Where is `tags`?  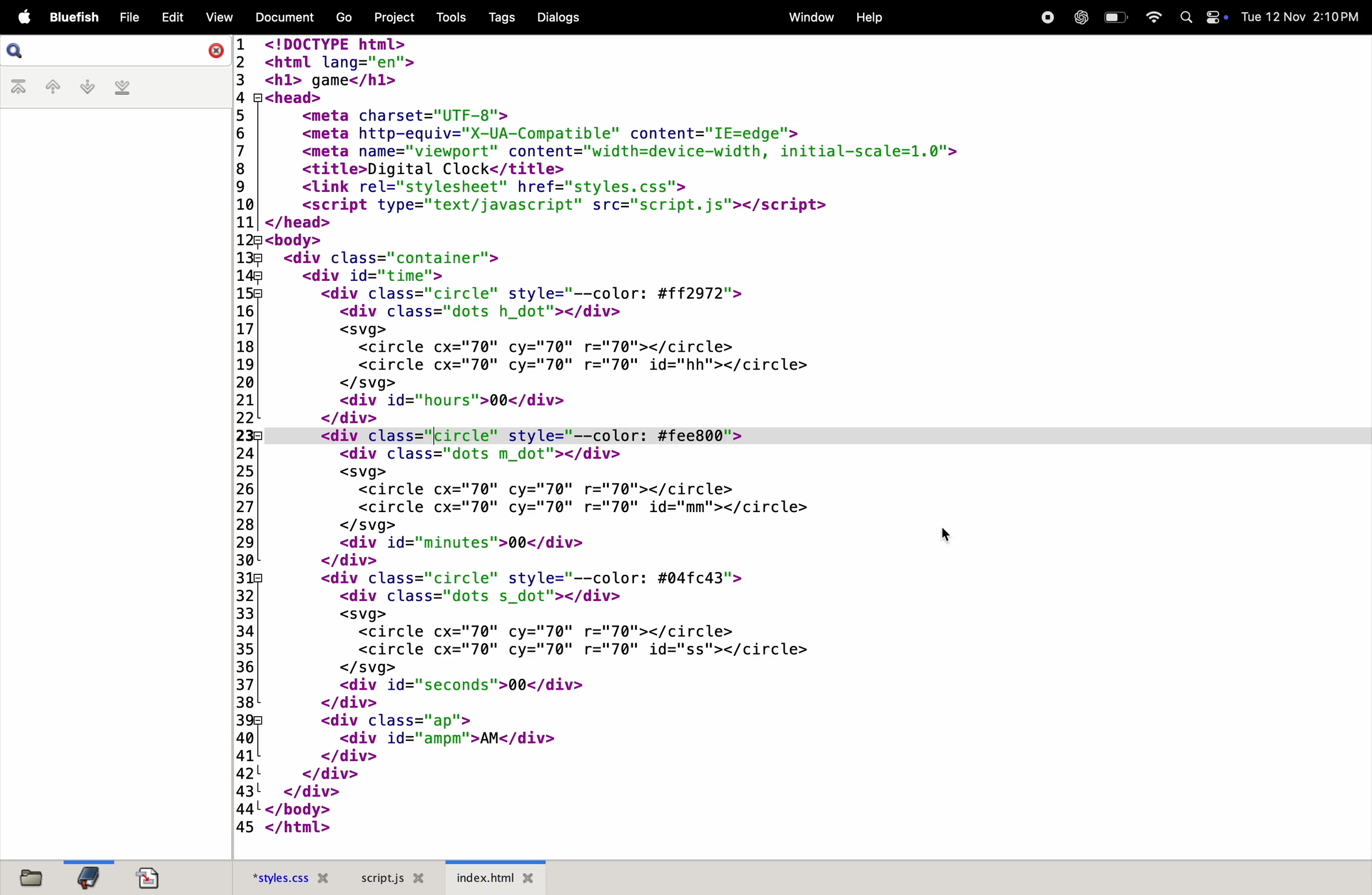 tags is located at coordinates (500, 16).